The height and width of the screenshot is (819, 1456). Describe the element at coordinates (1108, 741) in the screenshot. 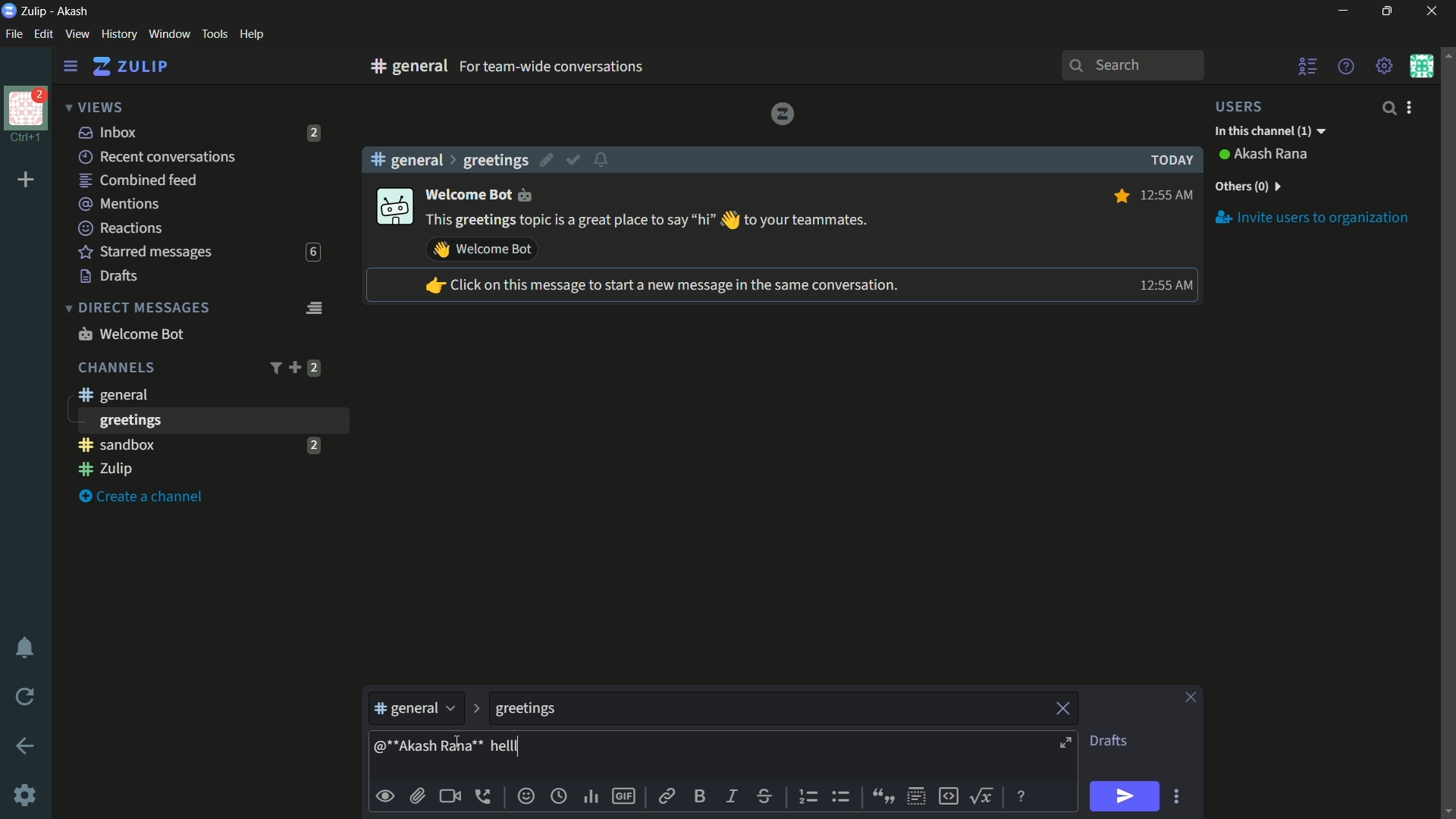

I see `drafts` at that location.